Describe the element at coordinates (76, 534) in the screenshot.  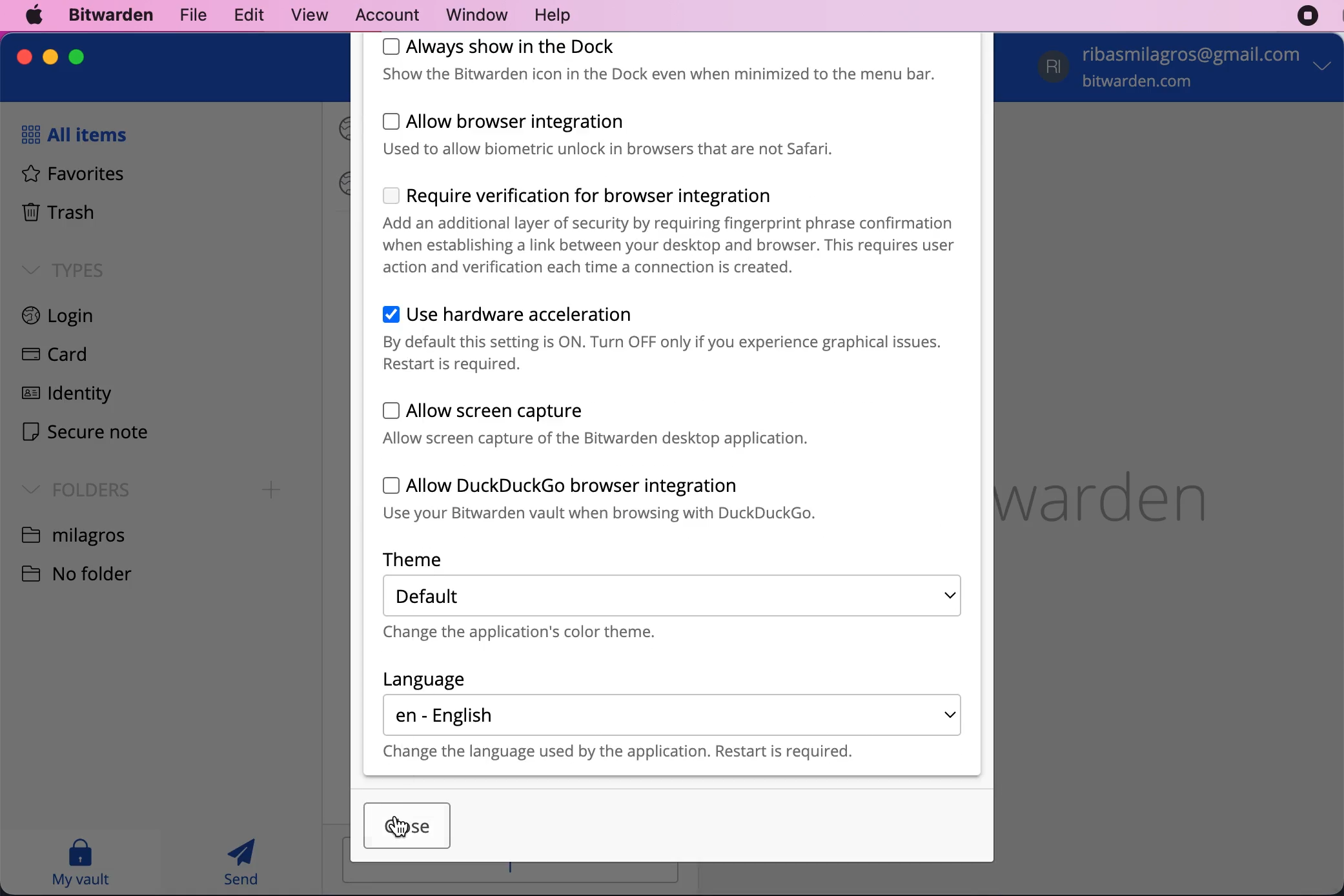
I see `folder name` at that location.